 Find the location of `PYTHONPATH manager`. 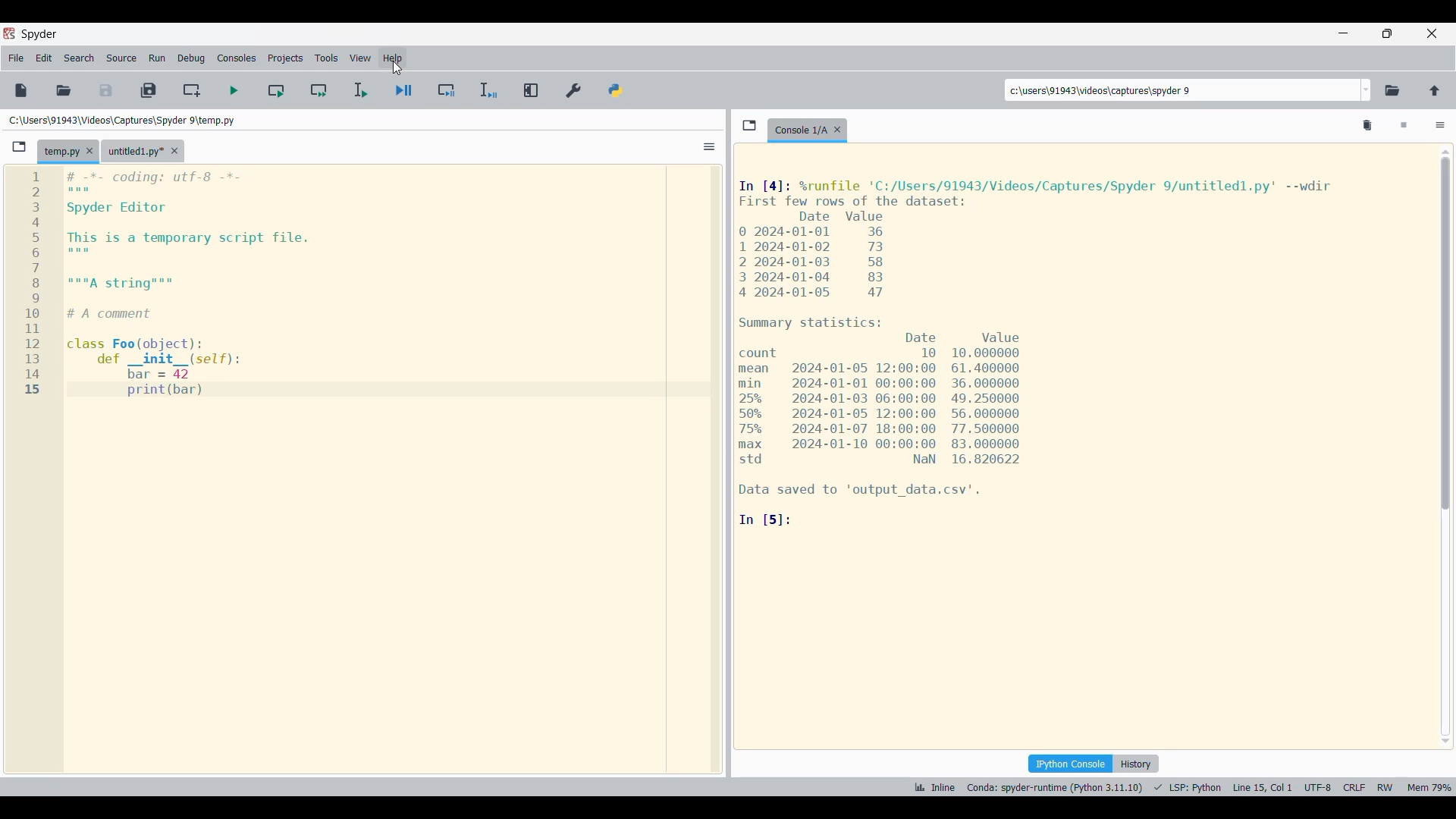

PYTHONPATH manager is located at coordinates (616, 91).